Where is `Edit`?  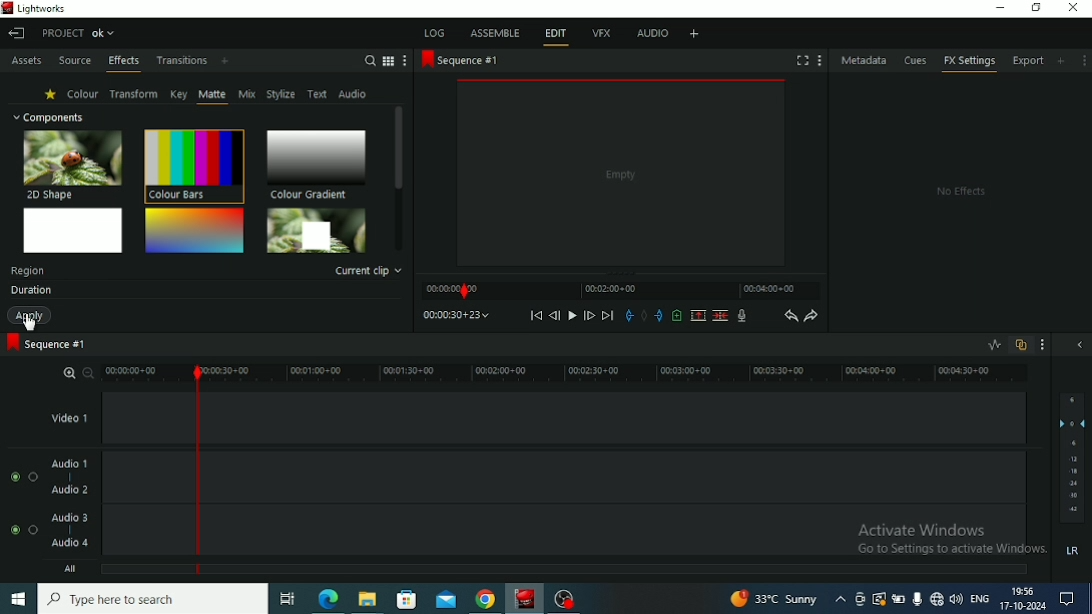 Edit is located at coordinates (555, 35).